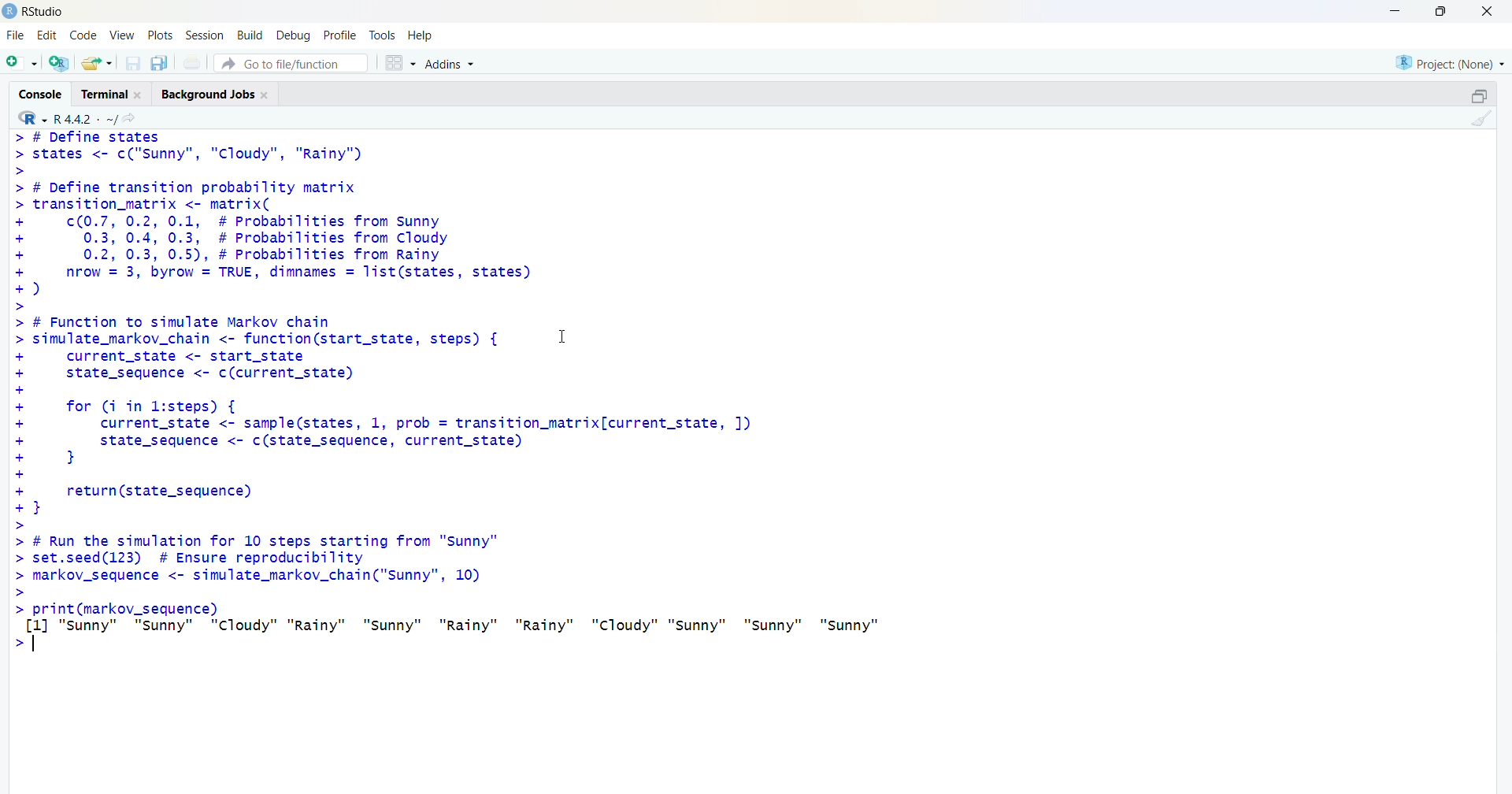 Image resolution: width=1512 pixels, height=794 pixels. Describe the element at coordinates (162, 34) in the screenshot. I see `plots` at that location.